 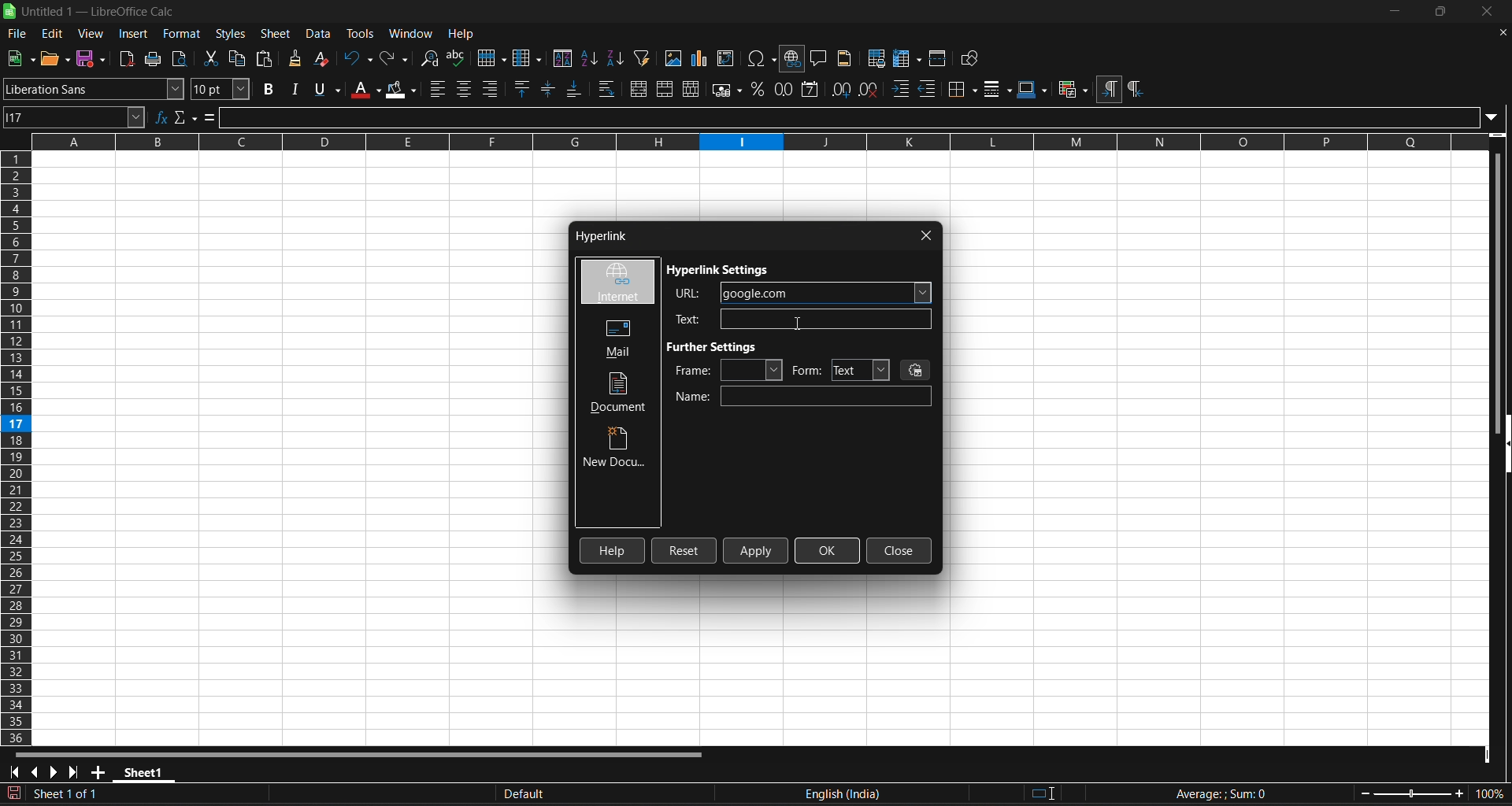 What do you see at coordinates (798, 319) in the screenshot?
I see `text` at bounding box center [798, 319].